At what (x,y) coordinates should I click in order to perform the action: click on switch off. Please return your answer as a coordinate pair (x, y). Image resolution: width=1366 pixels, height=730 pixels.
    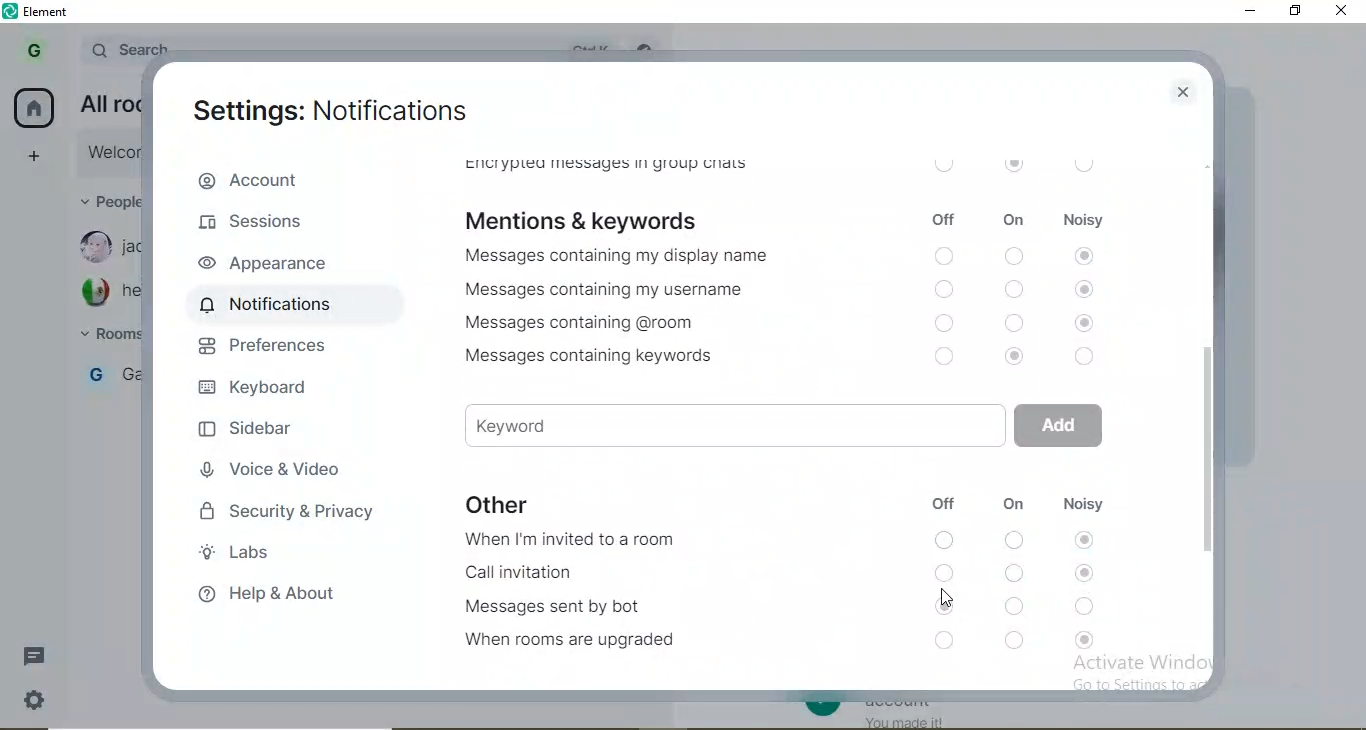
    Looking at the image, I should click on (947, 258).